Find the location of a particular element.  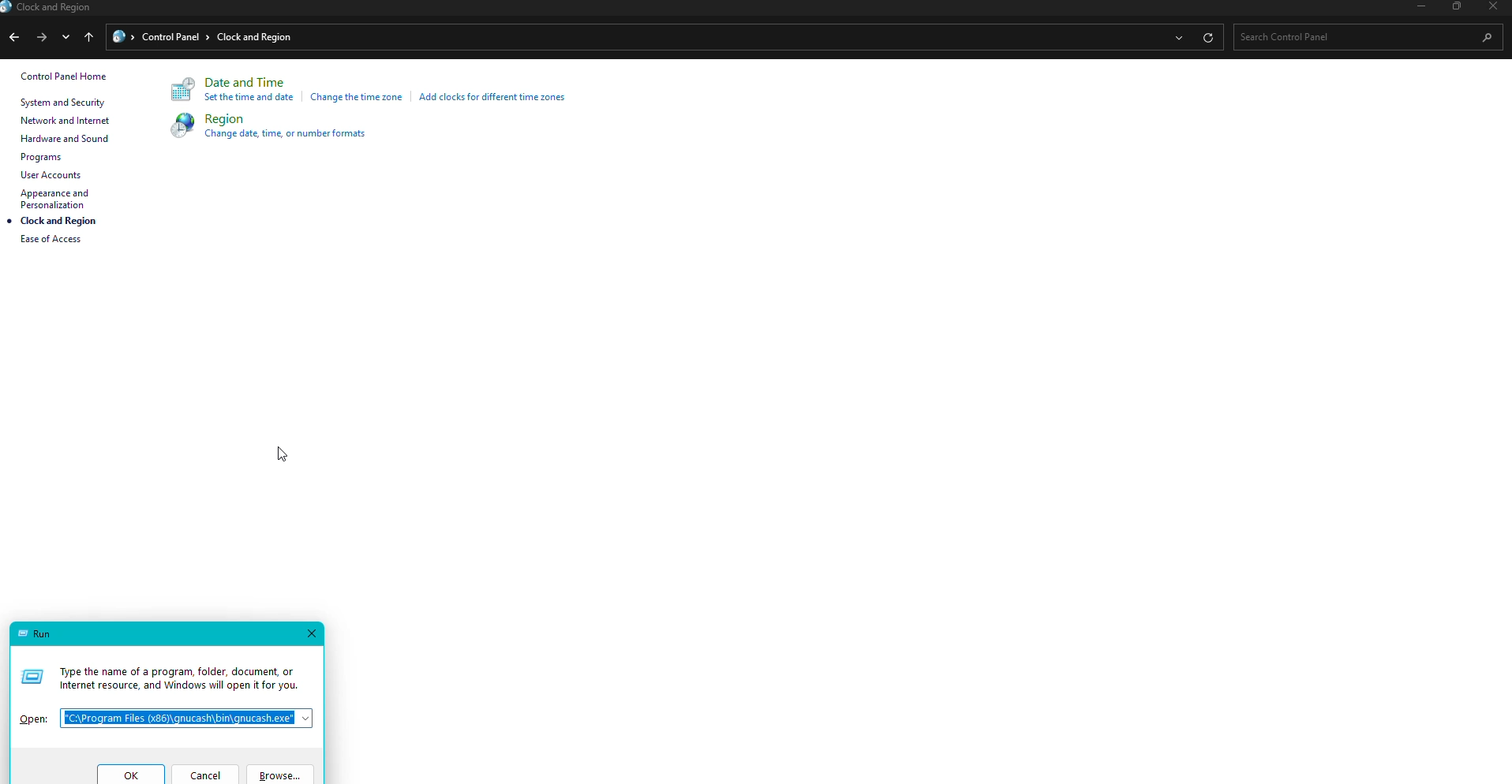

Information is located at coordinates (164, 672).